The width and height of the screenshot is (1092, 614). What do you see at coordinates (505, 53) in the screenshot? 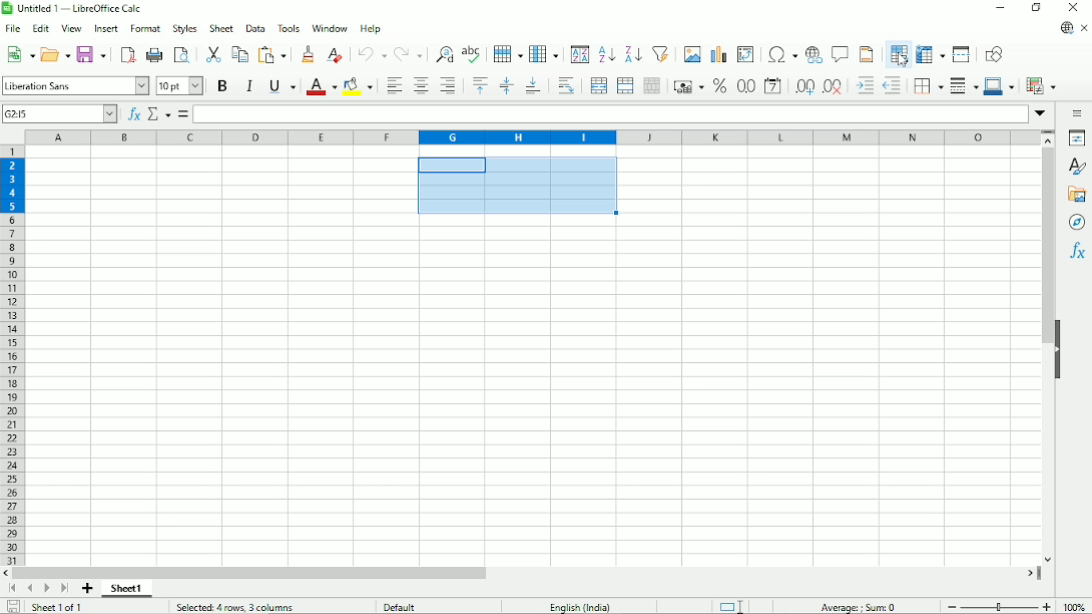
I see `Row` at bounding box center [505, 53].